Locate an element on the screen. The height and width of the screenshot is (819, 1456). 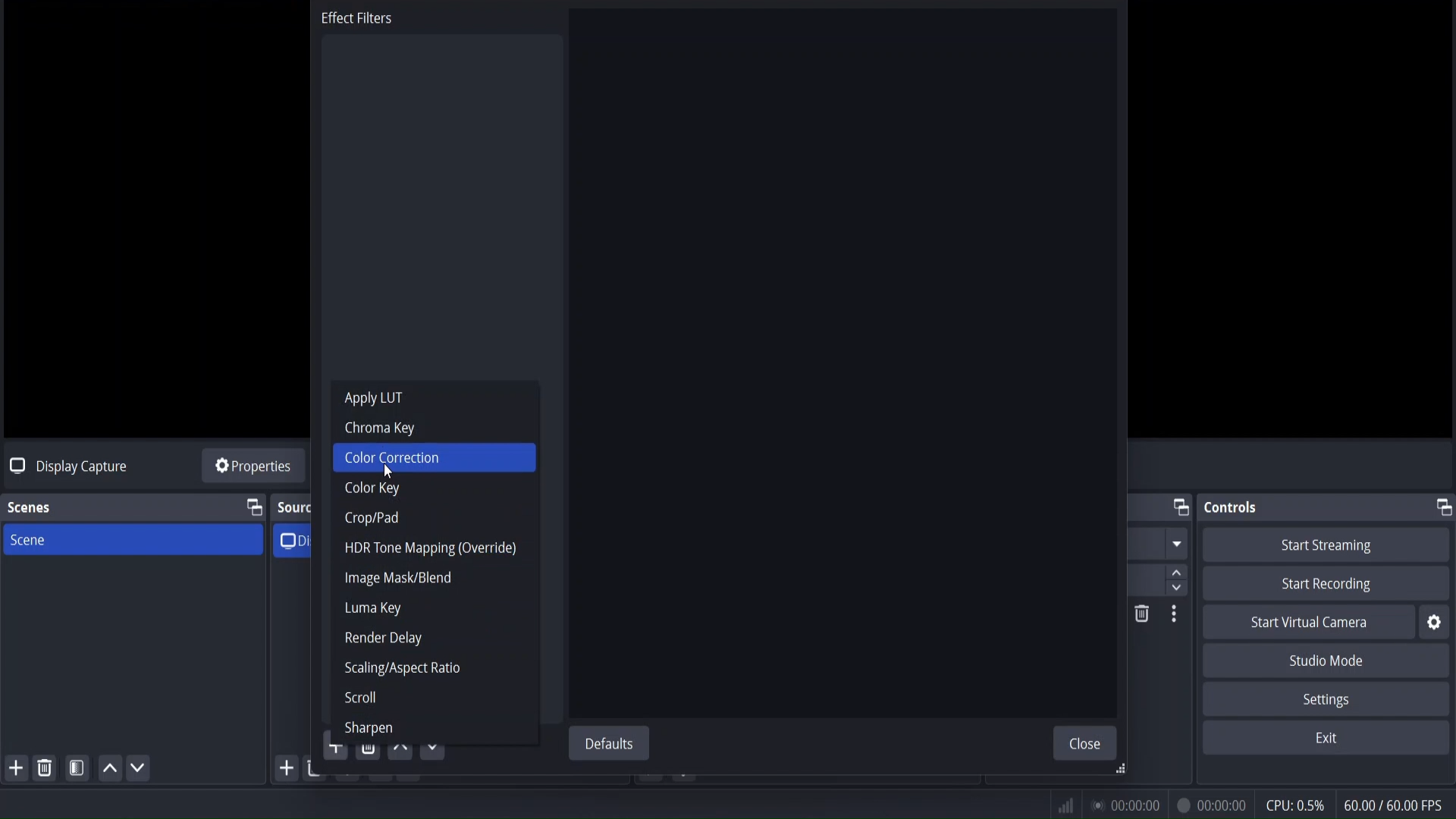
source properties is located at coordinates (253, 468).